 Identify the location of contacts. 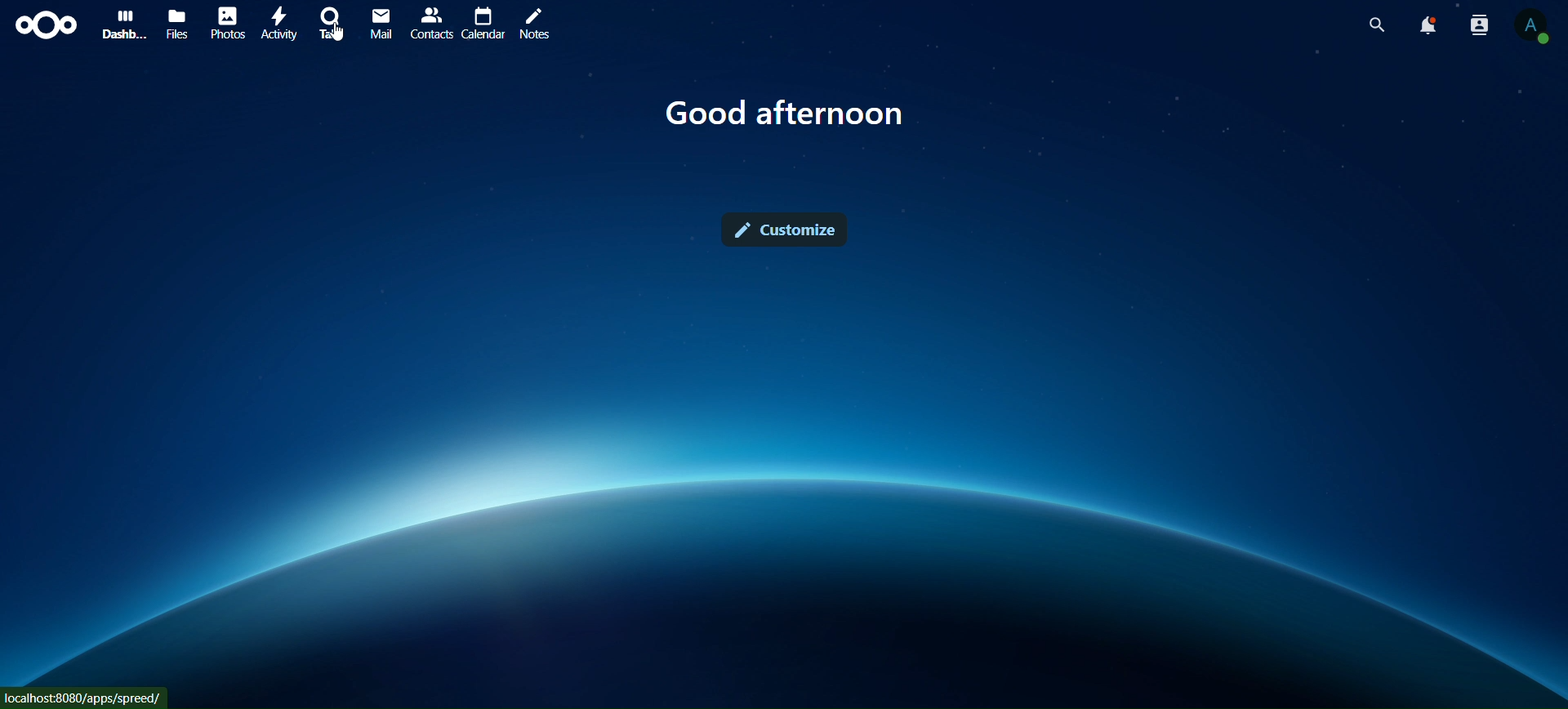
(430, 24).